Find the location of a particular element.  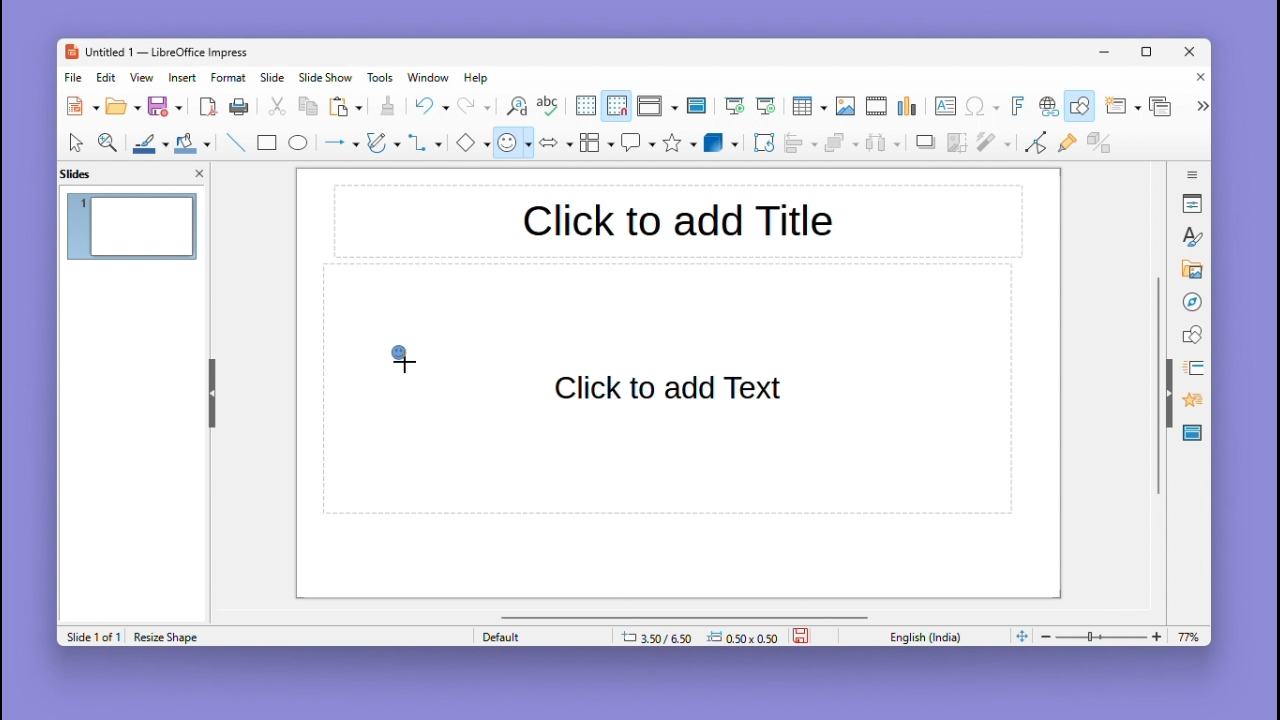

Help is located at coordinates (478, 78).